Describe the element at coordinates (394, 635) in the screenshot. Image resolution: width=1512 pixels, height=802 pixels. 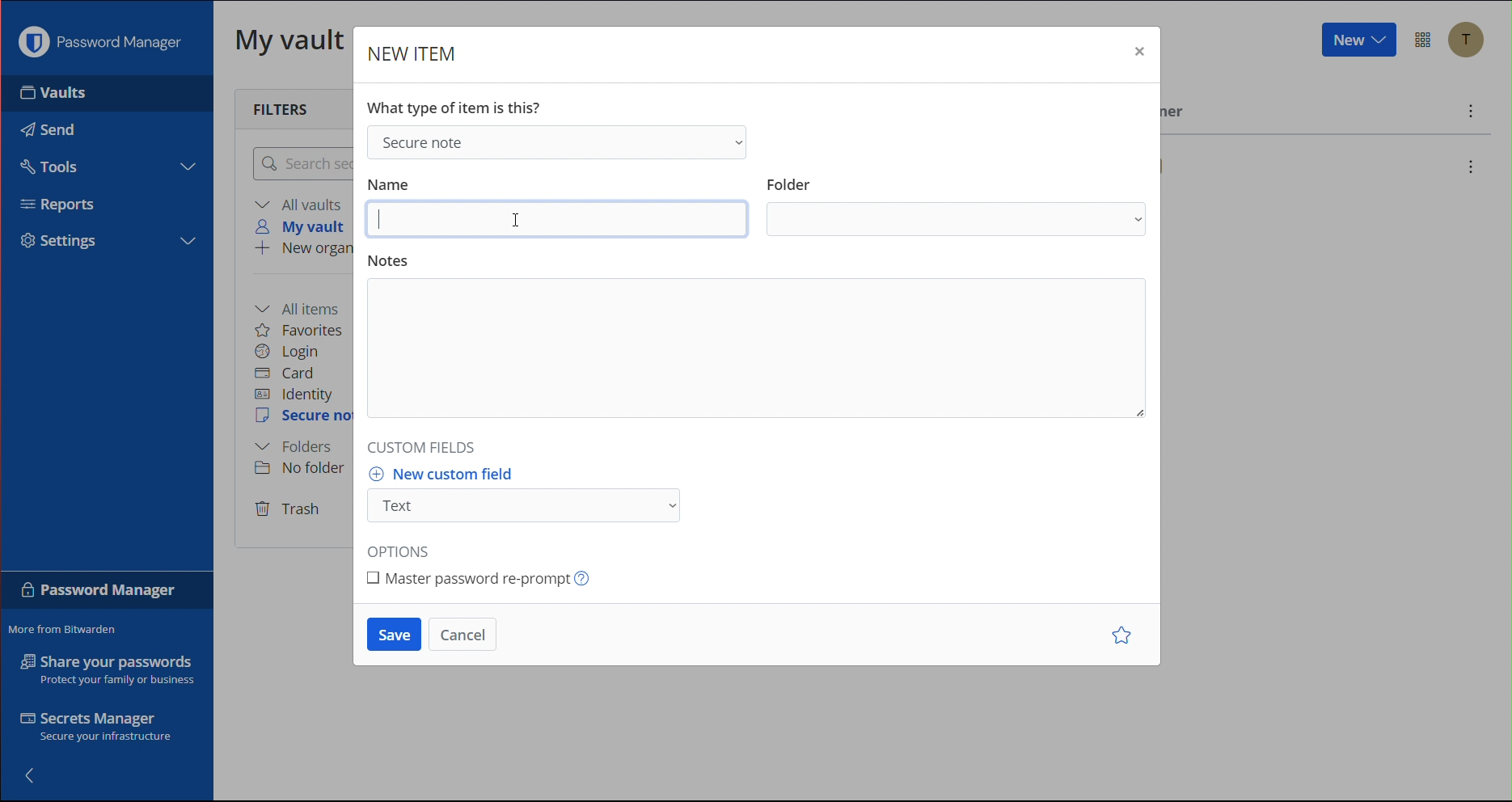
I see `Save` at that location.